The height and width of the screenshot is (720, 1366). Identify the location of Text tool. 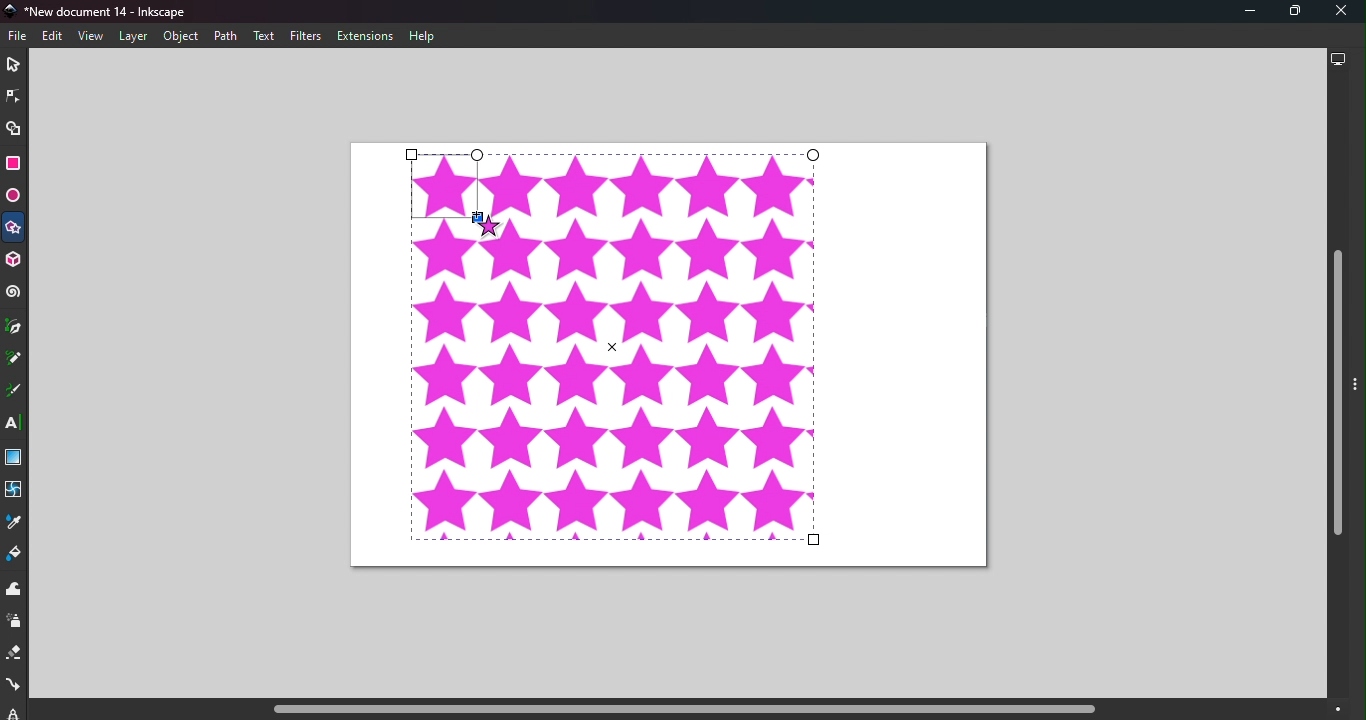
(15, 424).